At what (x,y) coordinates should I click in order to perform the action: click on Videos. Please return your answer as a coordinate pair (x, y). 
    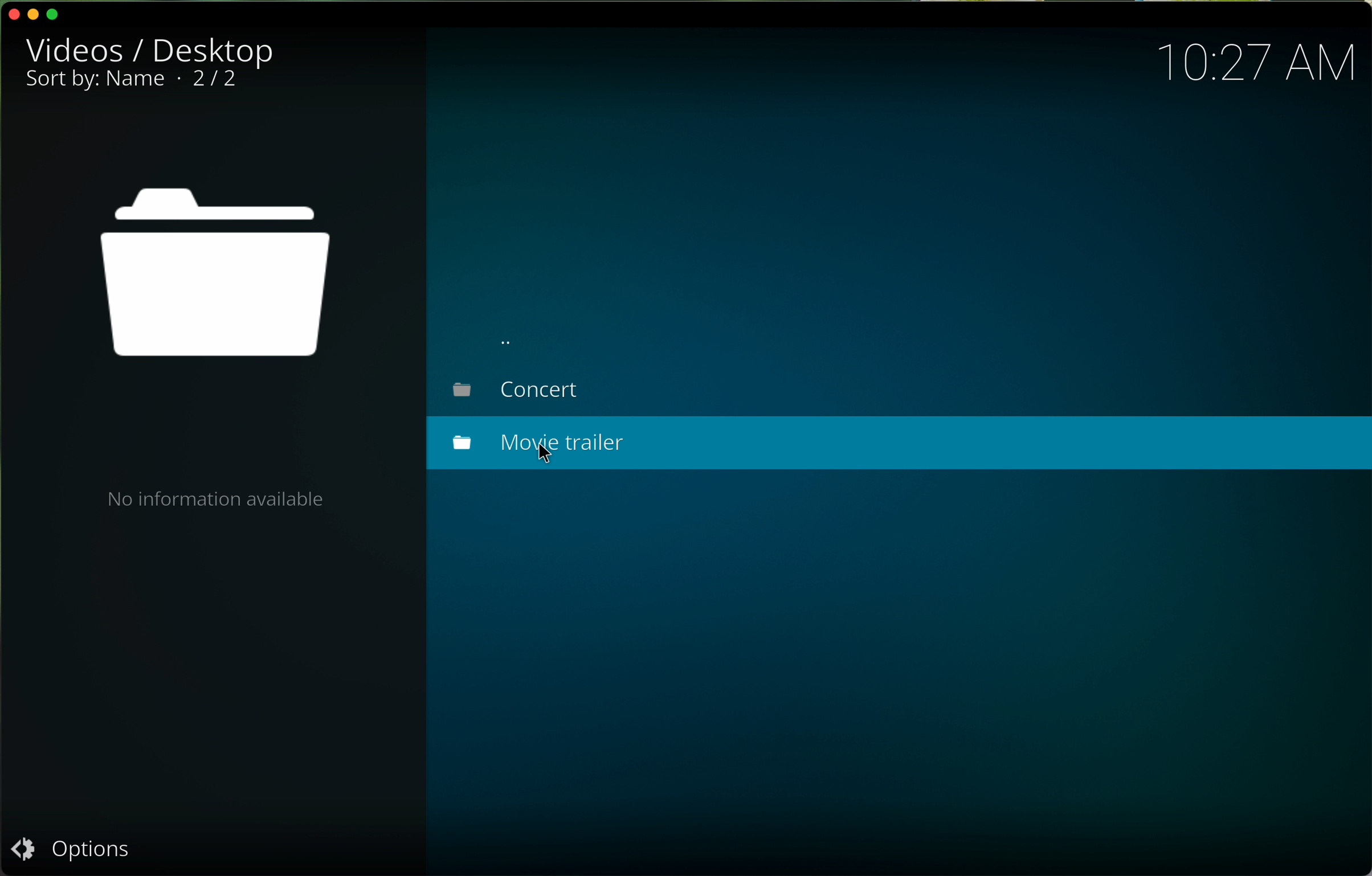
    Looking at the image, I should click on (78, 46).